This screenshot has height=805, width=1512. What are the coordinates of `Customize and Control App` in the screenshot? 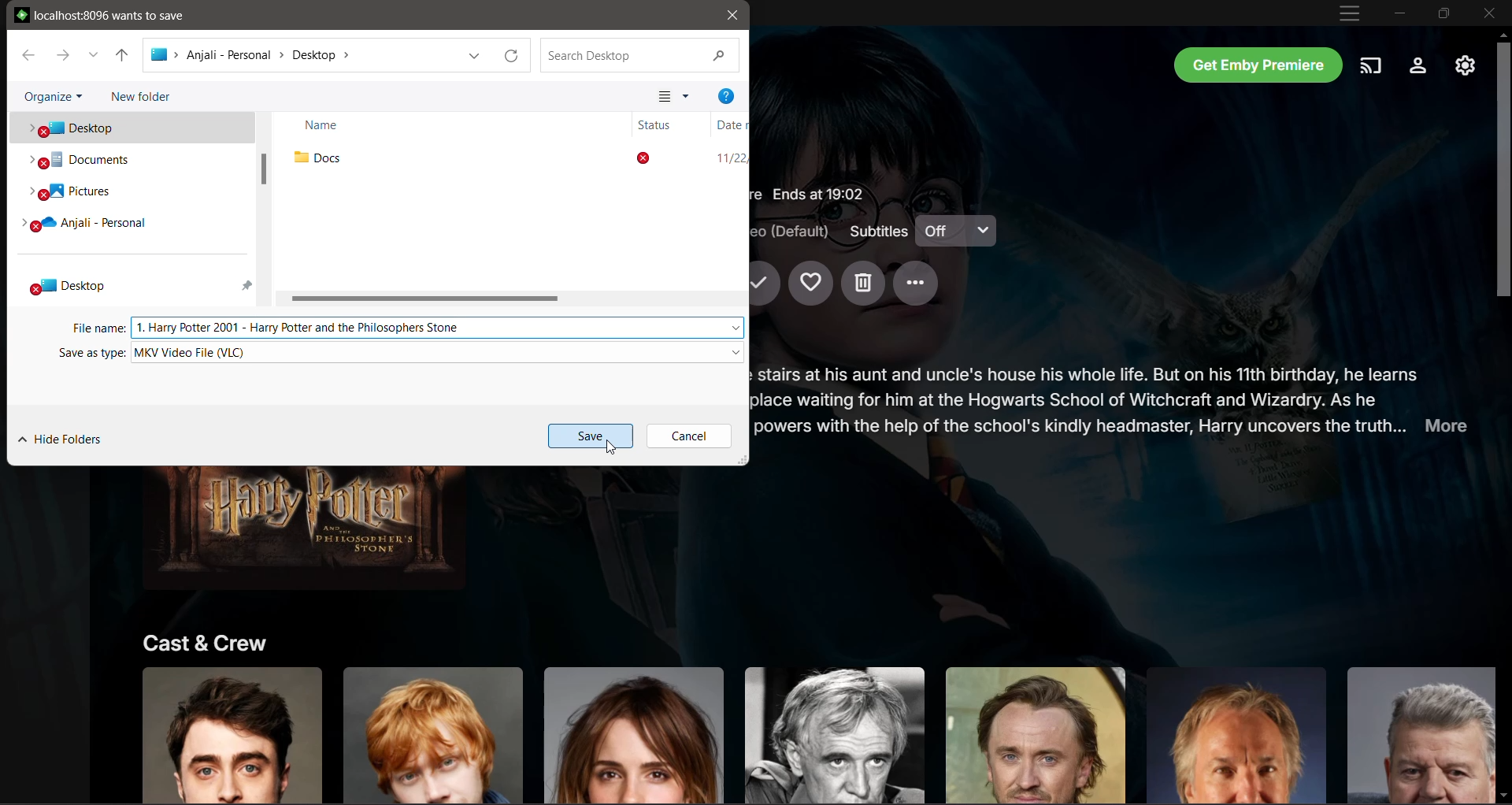 It's located at (1350, 13).